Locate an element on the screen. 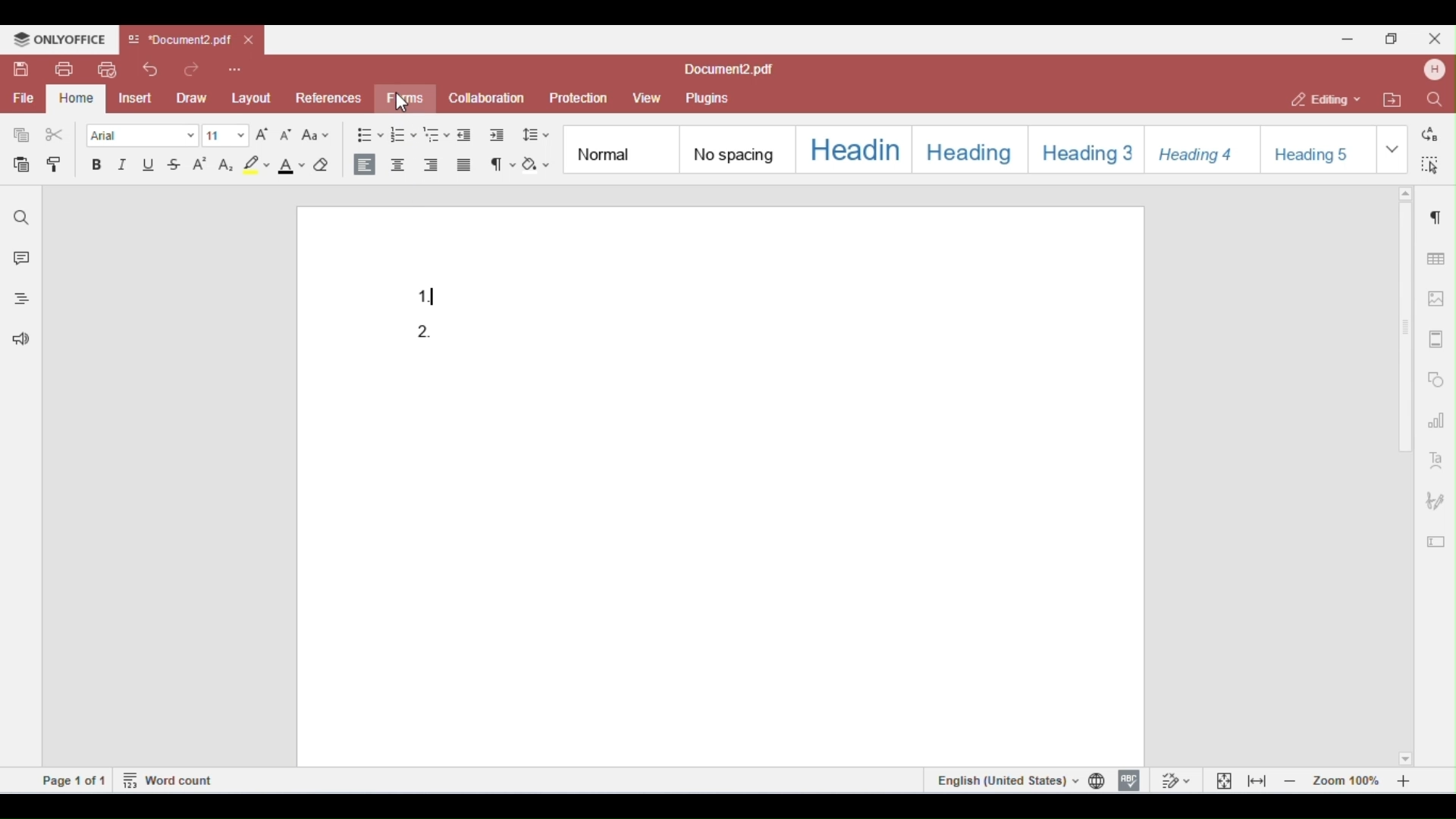 Image resolution: width=1456 pixels, height=819 pixels. quick access tool bar is located at coordinates (235, 67).